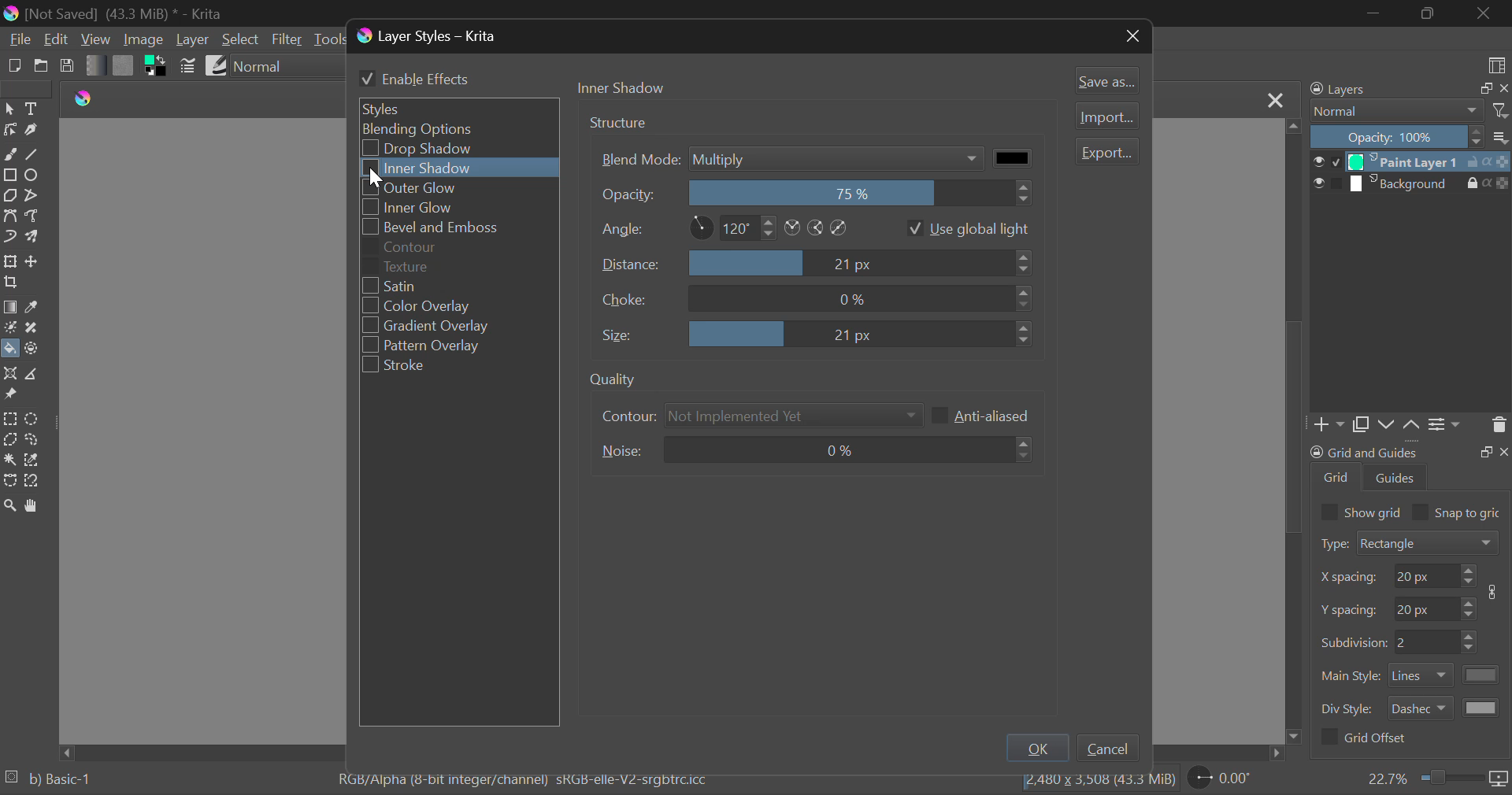  What do you see at coordinates (454, 246) in the screenshot?
I see `Contour` at bounding box center [454, 246].